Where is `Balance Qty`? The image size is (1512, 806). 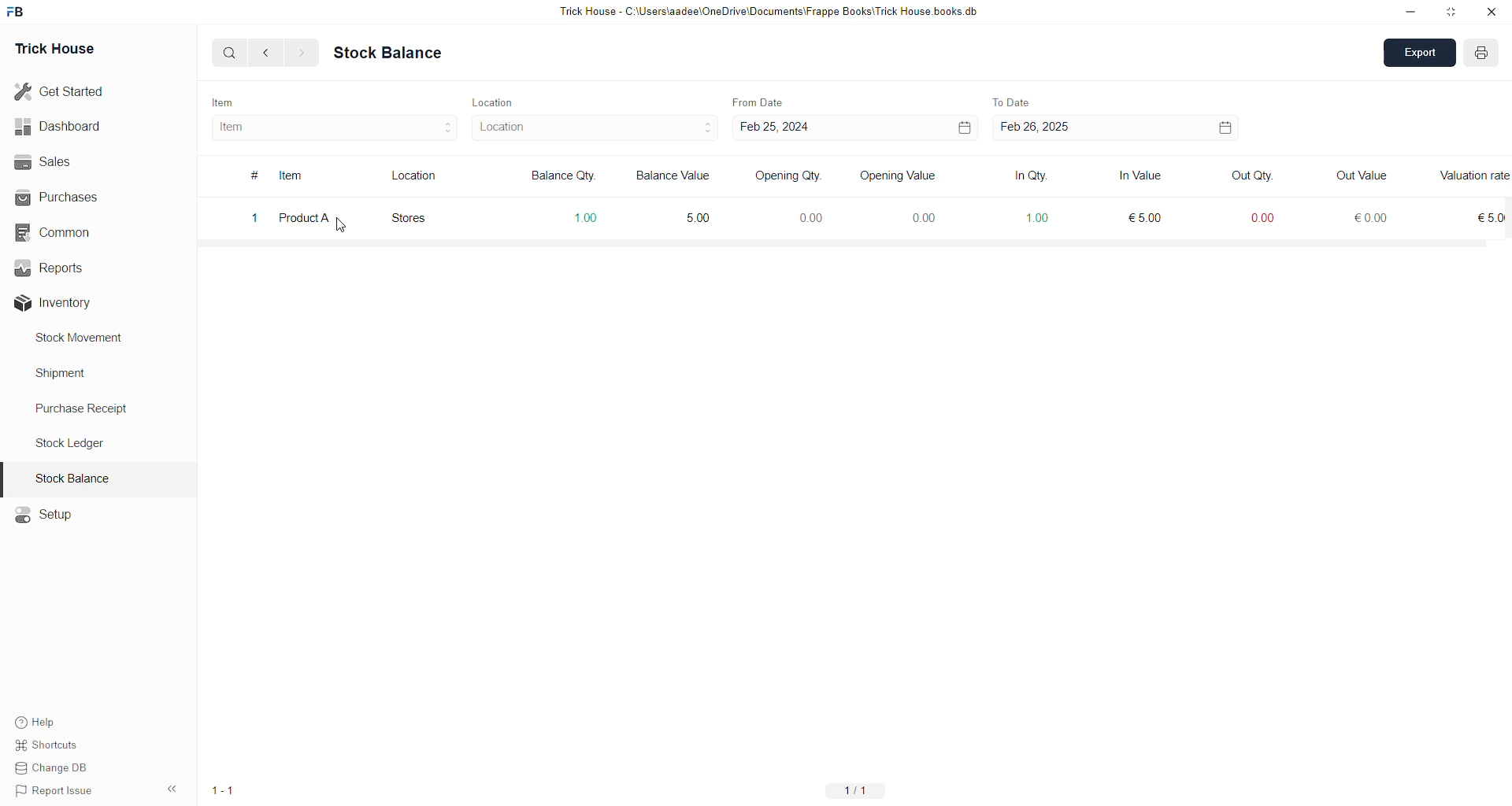 Balance Qty is located at coordinates (554, 179).